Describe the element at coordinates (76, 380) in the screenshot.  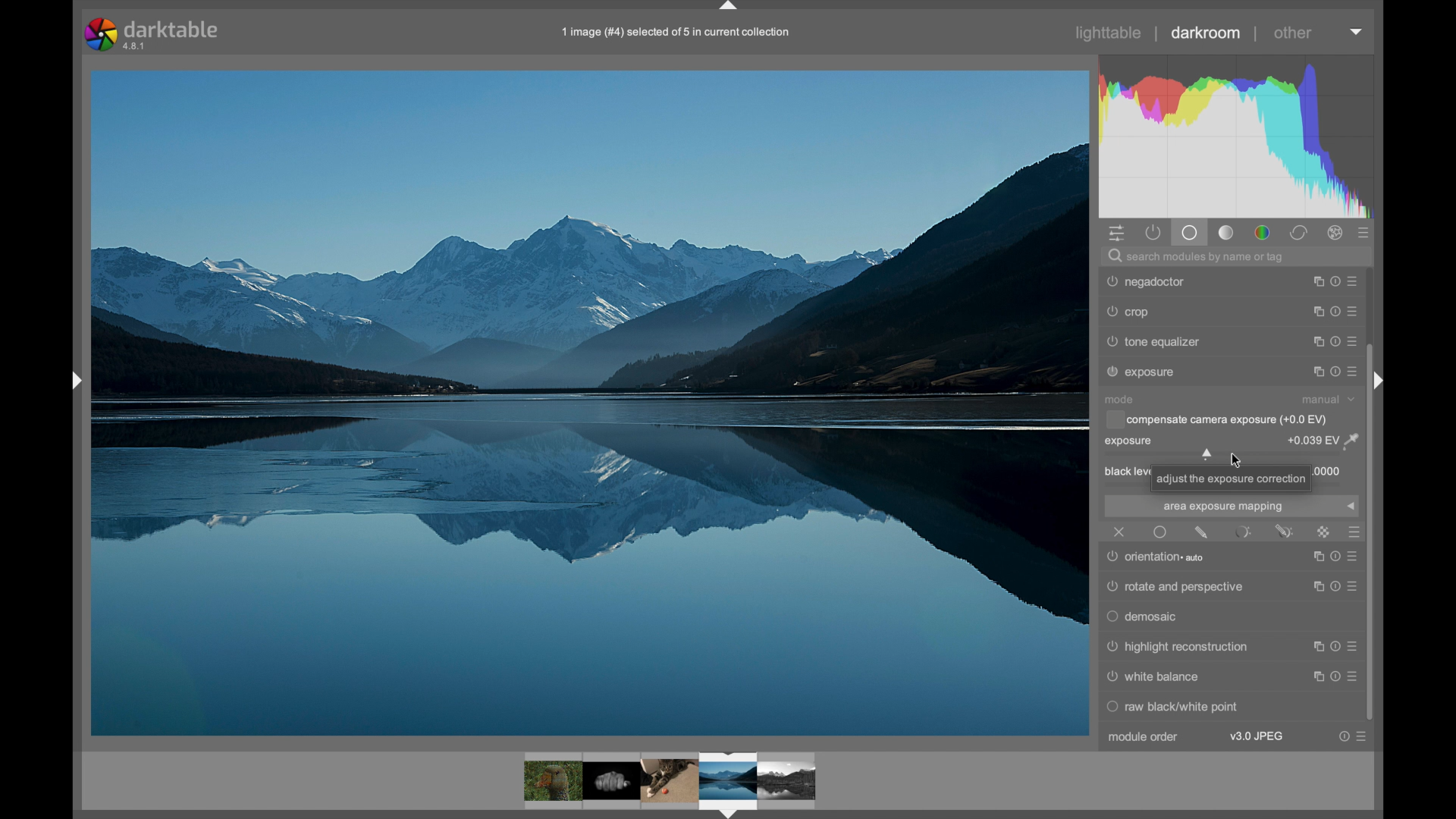
I see `drag handle` at that location.